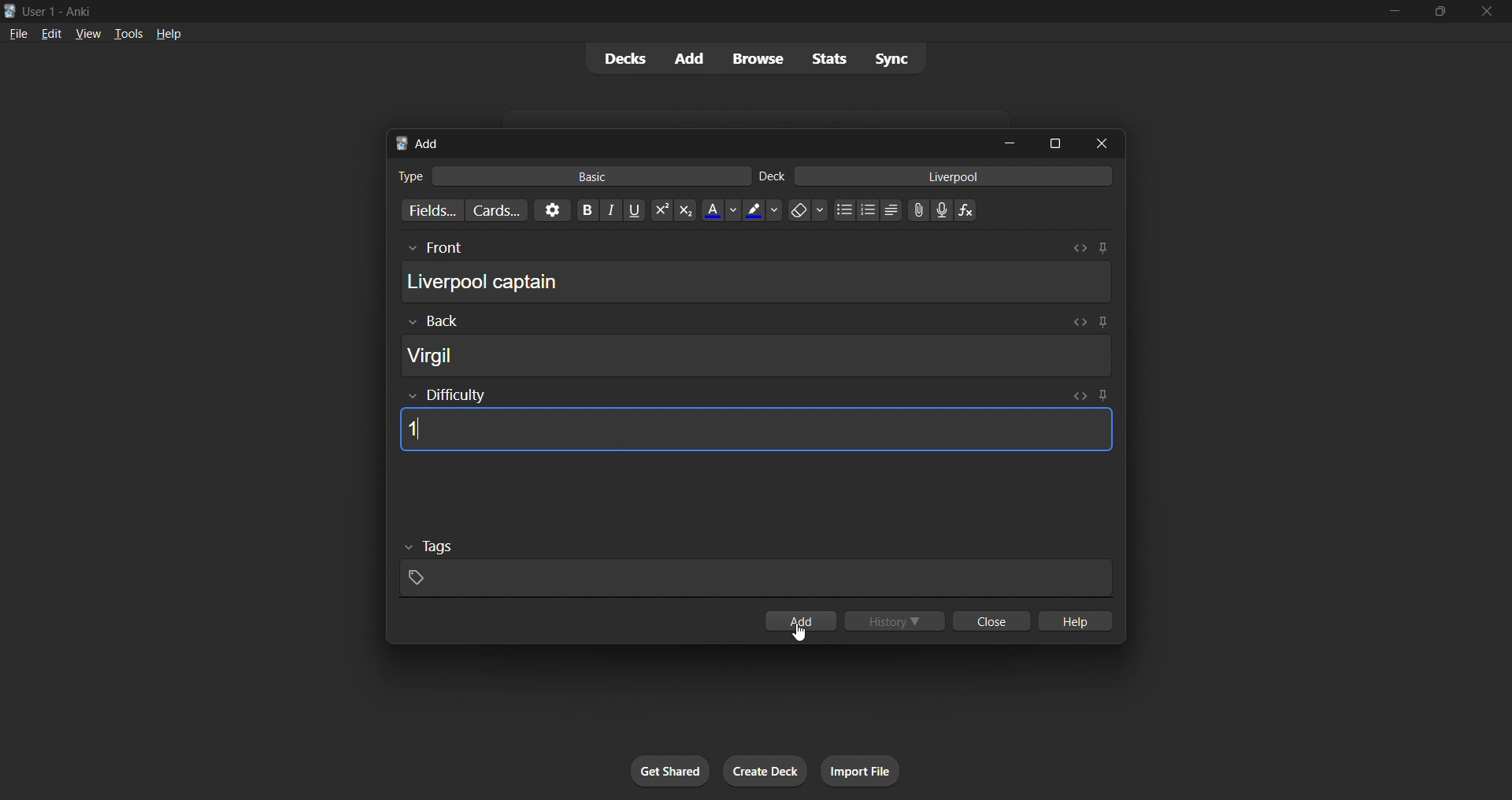  Describe the element at coordinates (1102, 143) in the screenshot. I see `close` at that location.